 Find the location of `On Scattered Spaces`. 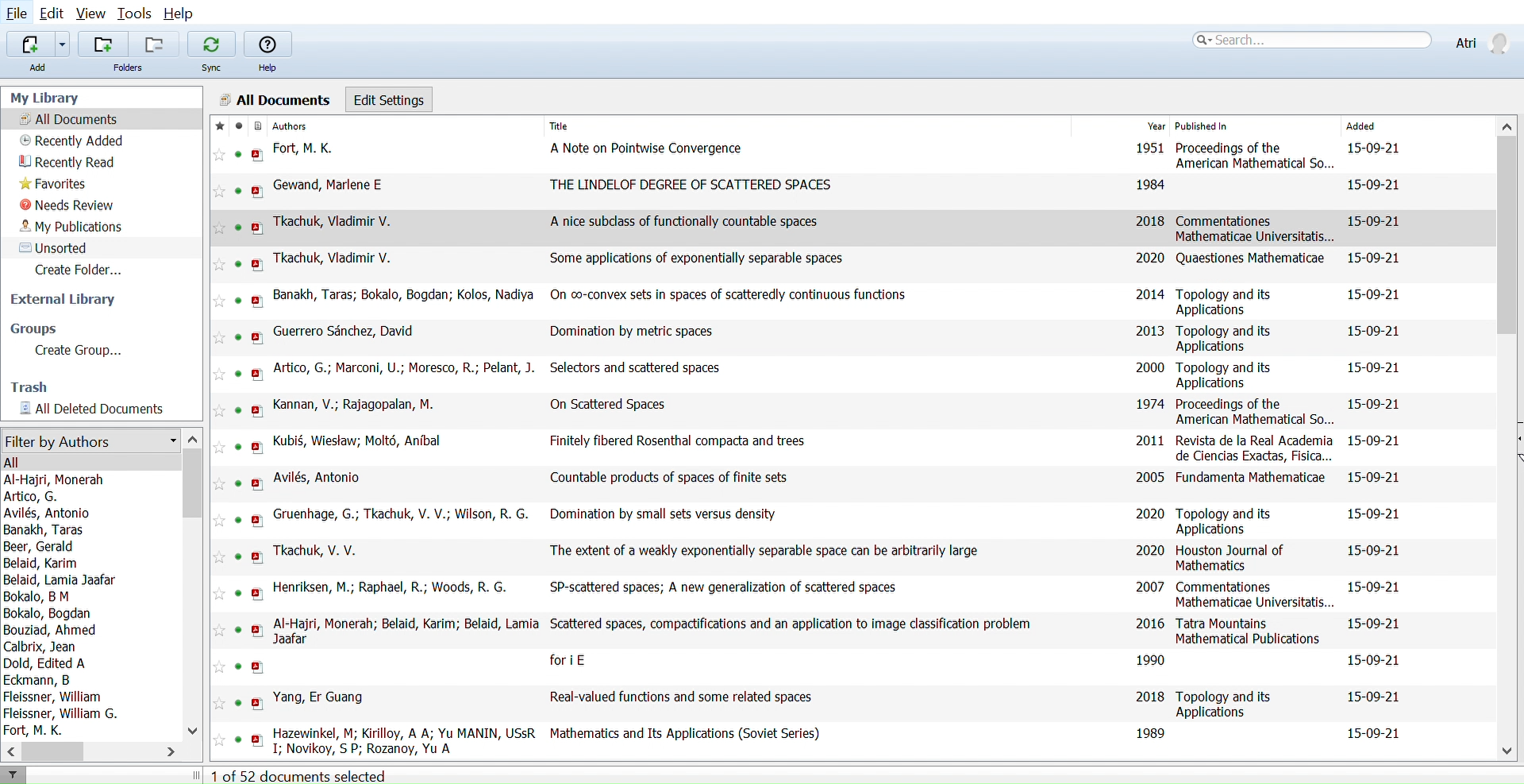

On Scattered Spaces is located at coordinates (608, 405).